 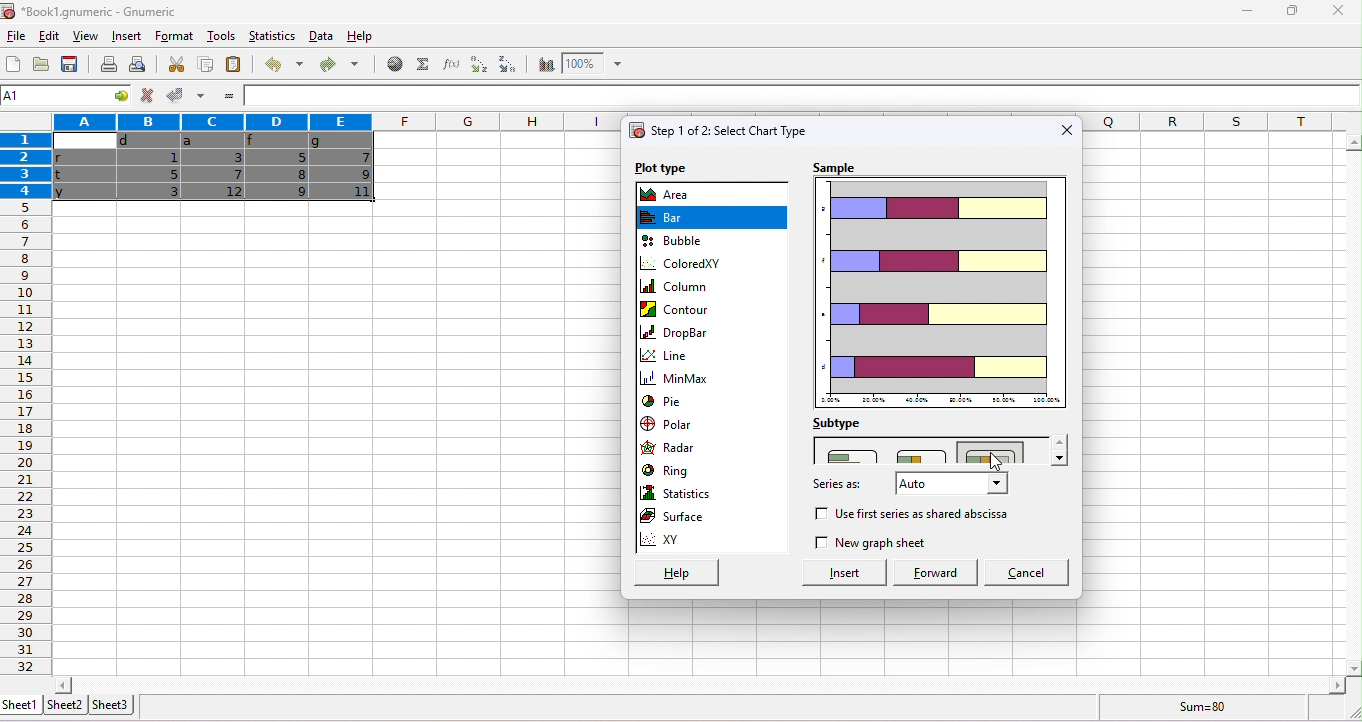 I want to click on close, so click(x=1067, y=132).